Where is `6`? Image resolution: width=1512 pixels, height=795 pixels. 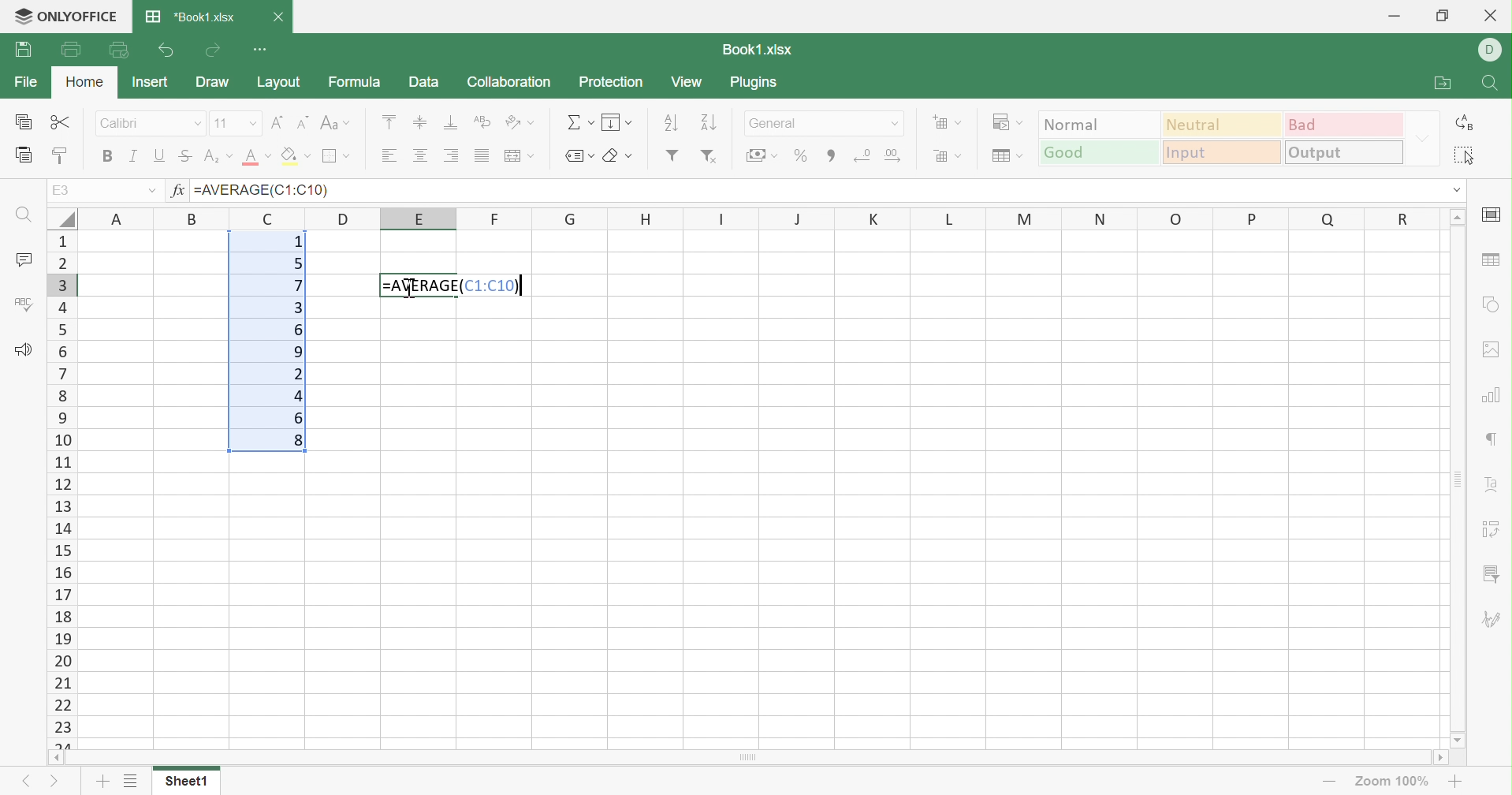
6 is located at coordinates (296, 328).